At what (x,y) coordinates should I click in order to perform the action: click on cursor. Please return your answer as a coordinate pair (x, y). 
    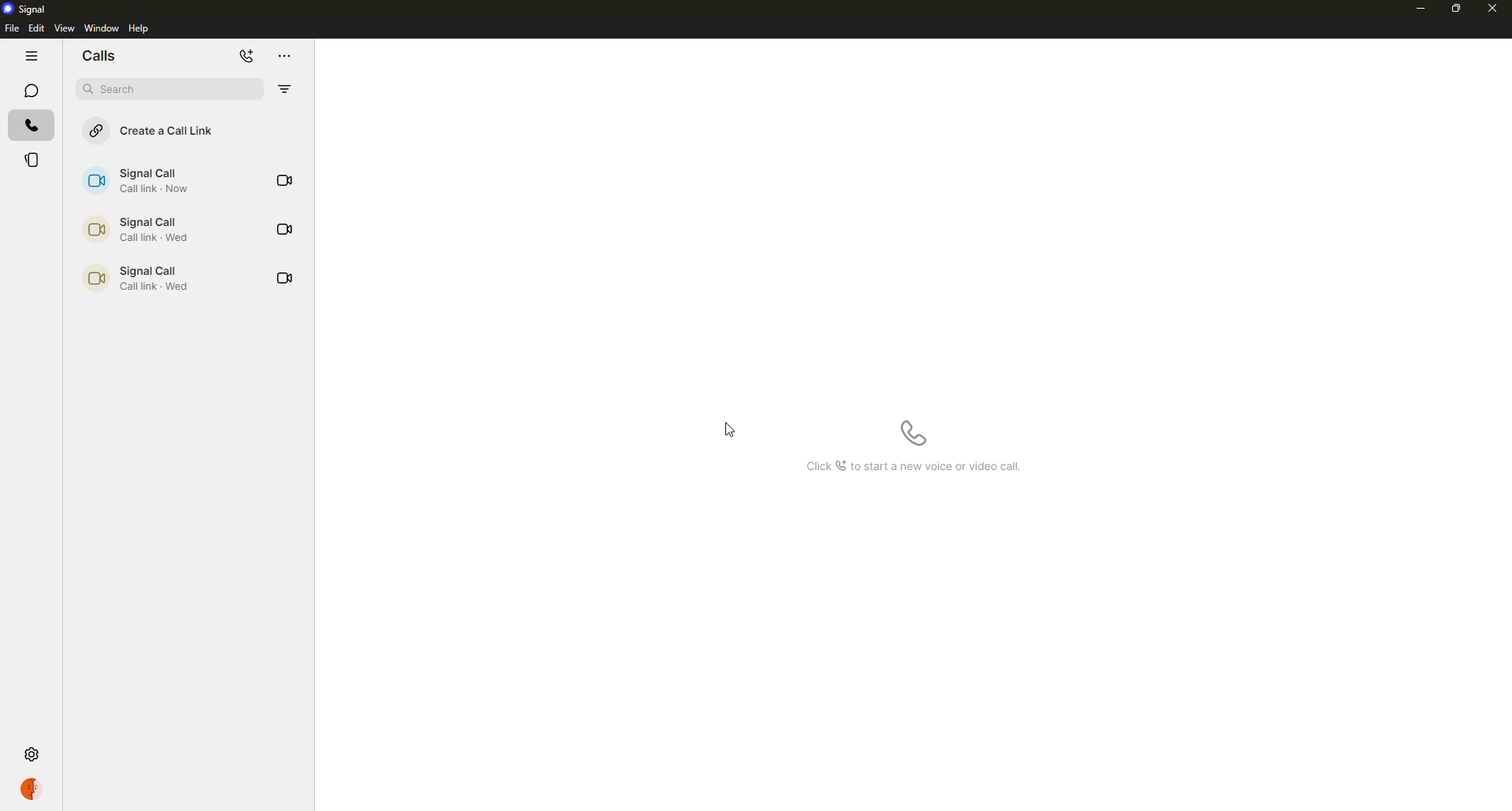
    Looking at the image, I should click on (734, 431).